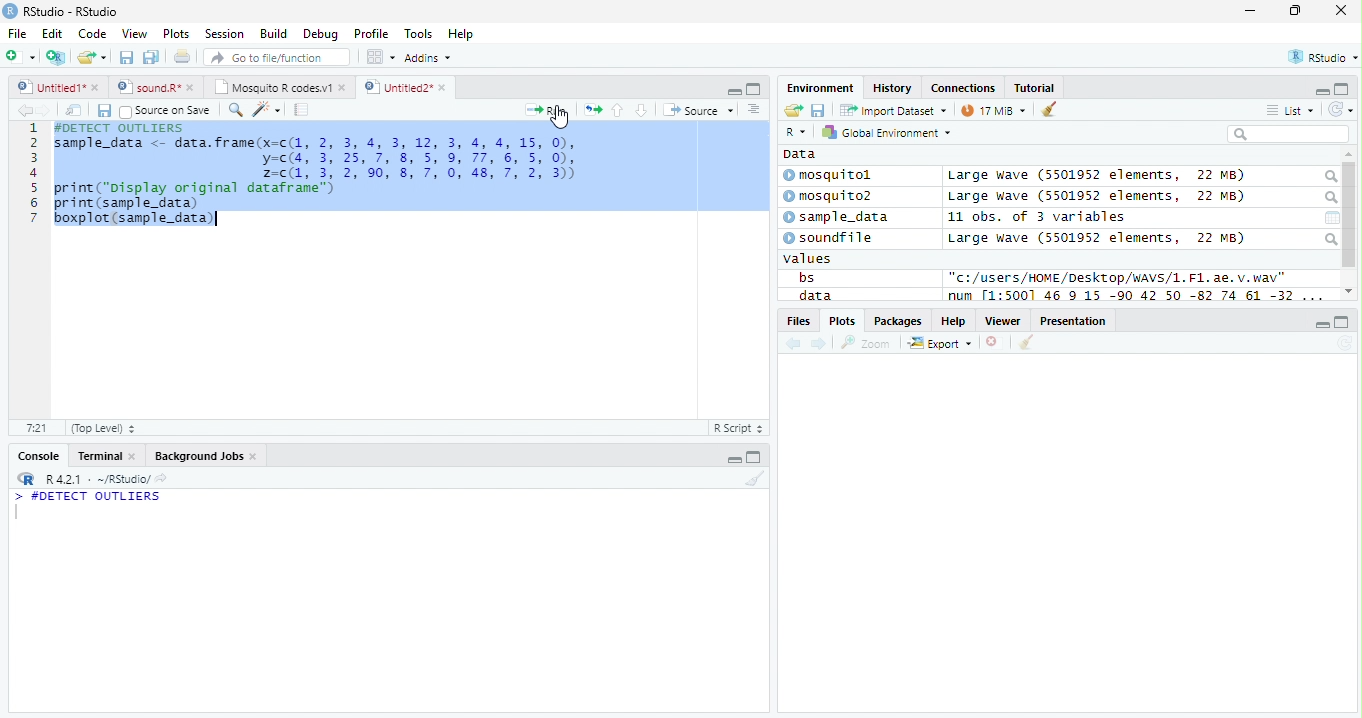 Image resolution: width=1362 pixels, height=718 pixels. I want to click on full screen, so click(754, 456).